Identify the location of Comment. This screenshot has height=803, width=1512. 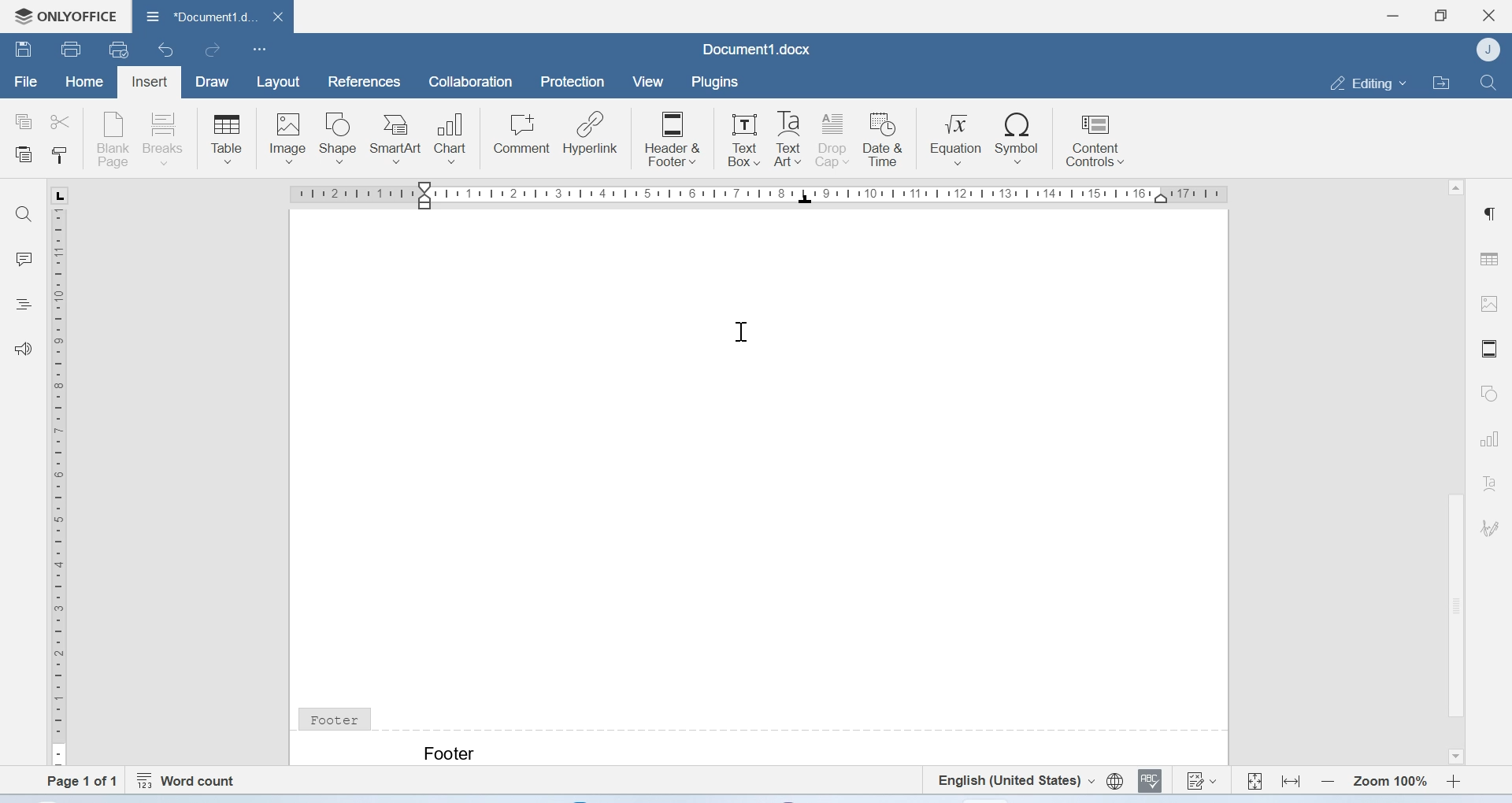
(522, 135).